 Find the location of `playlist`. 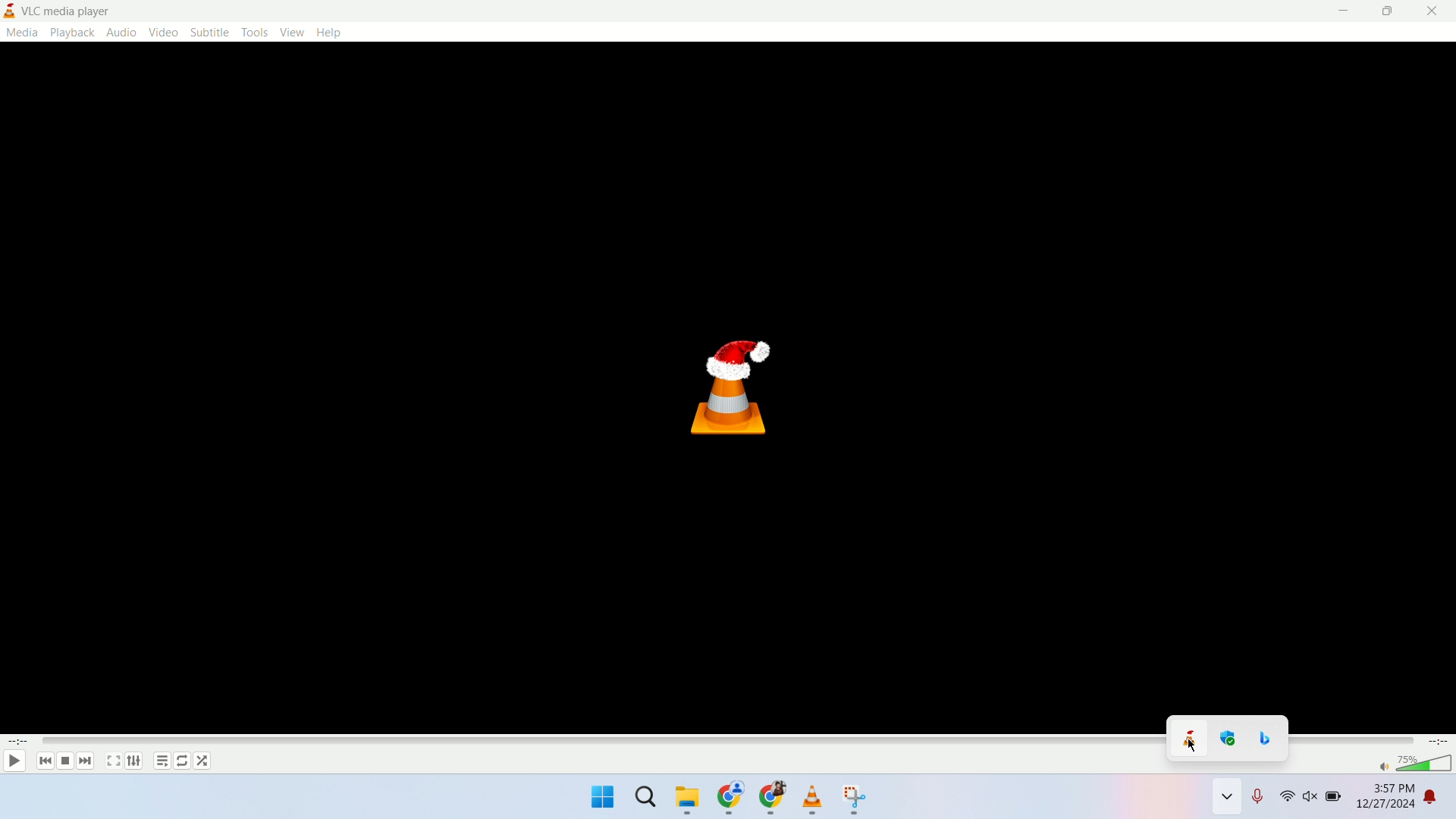

playlist is located at coordinates (160, 763).